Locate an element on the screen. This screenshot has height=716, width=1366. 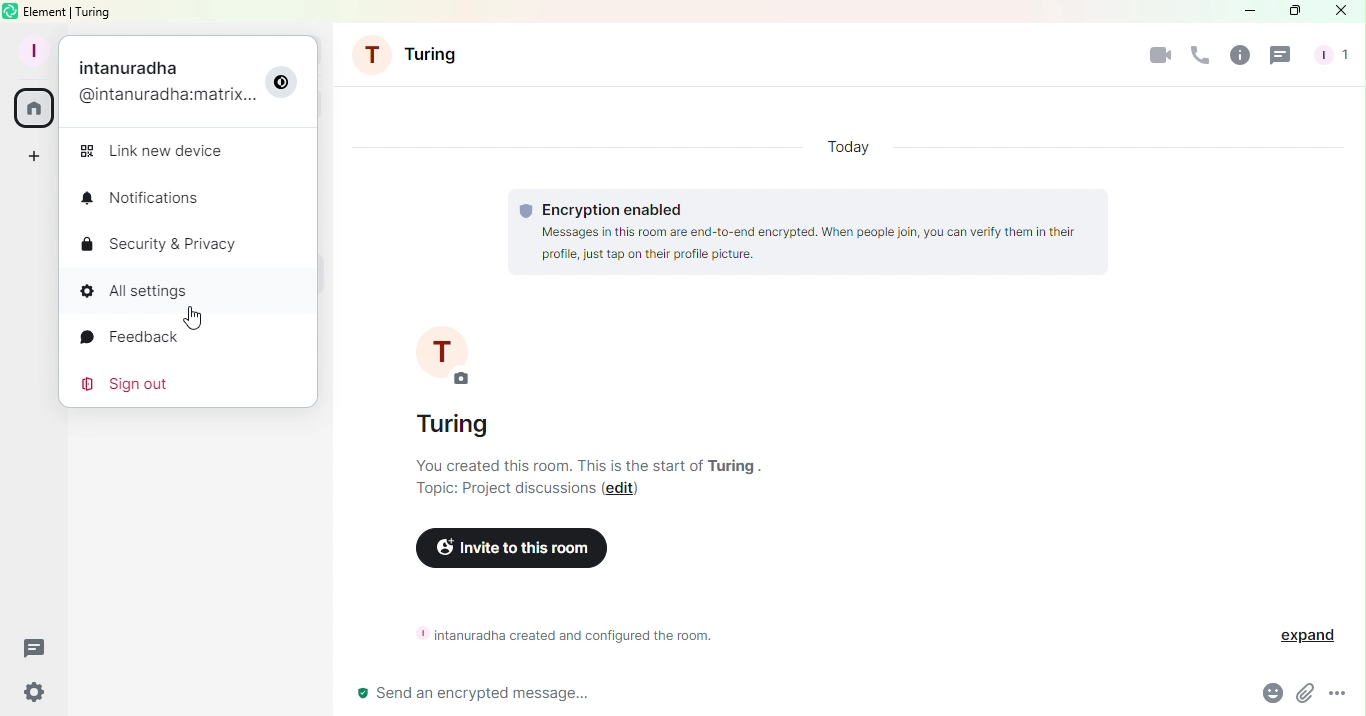
People is located at coordinates (1330, 56).